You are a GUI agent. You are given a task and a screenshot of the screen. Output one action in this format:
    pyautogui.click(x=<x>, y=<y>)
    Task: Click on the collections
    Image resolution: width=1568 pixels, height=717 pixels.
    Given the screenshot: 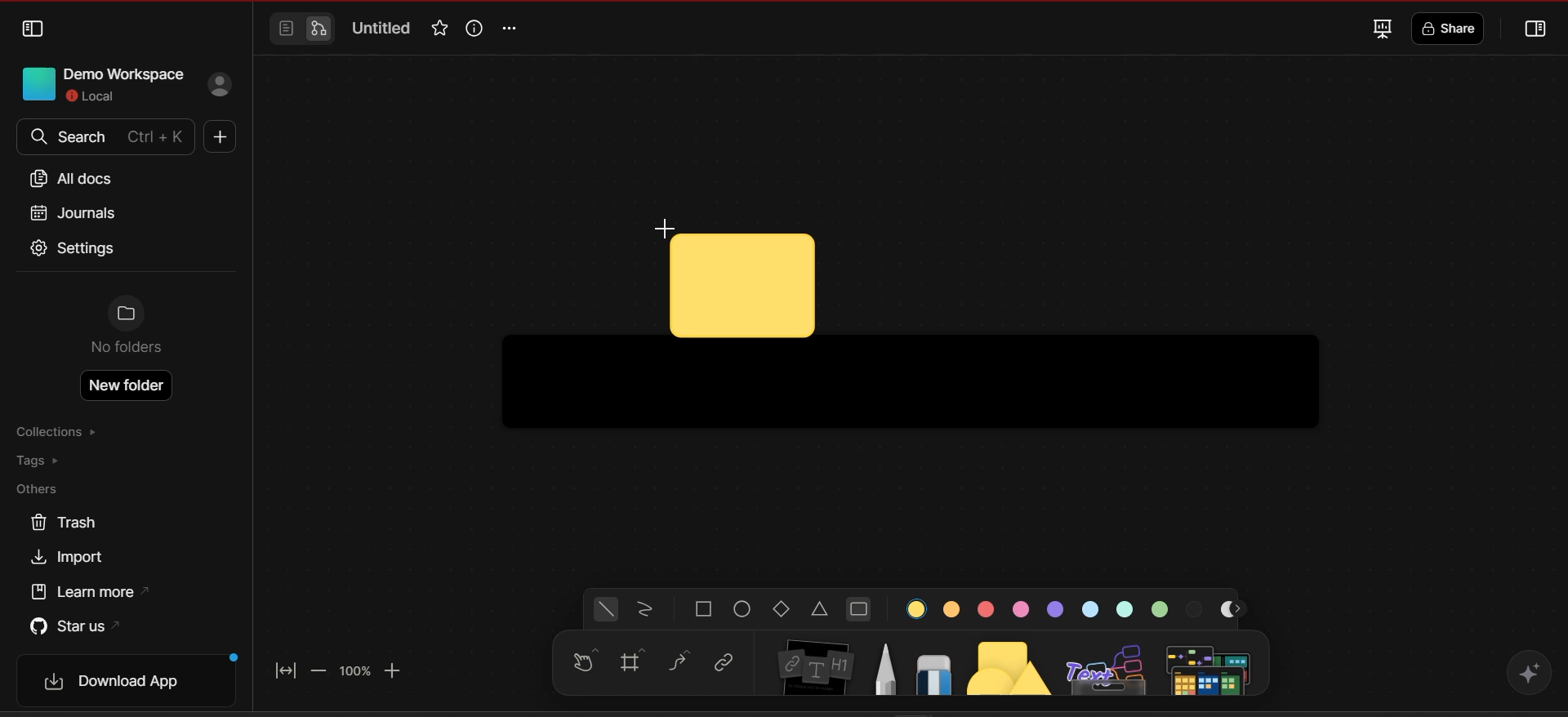 What is the action you would take?
    pyautogui.click(x=60, y=433)
    